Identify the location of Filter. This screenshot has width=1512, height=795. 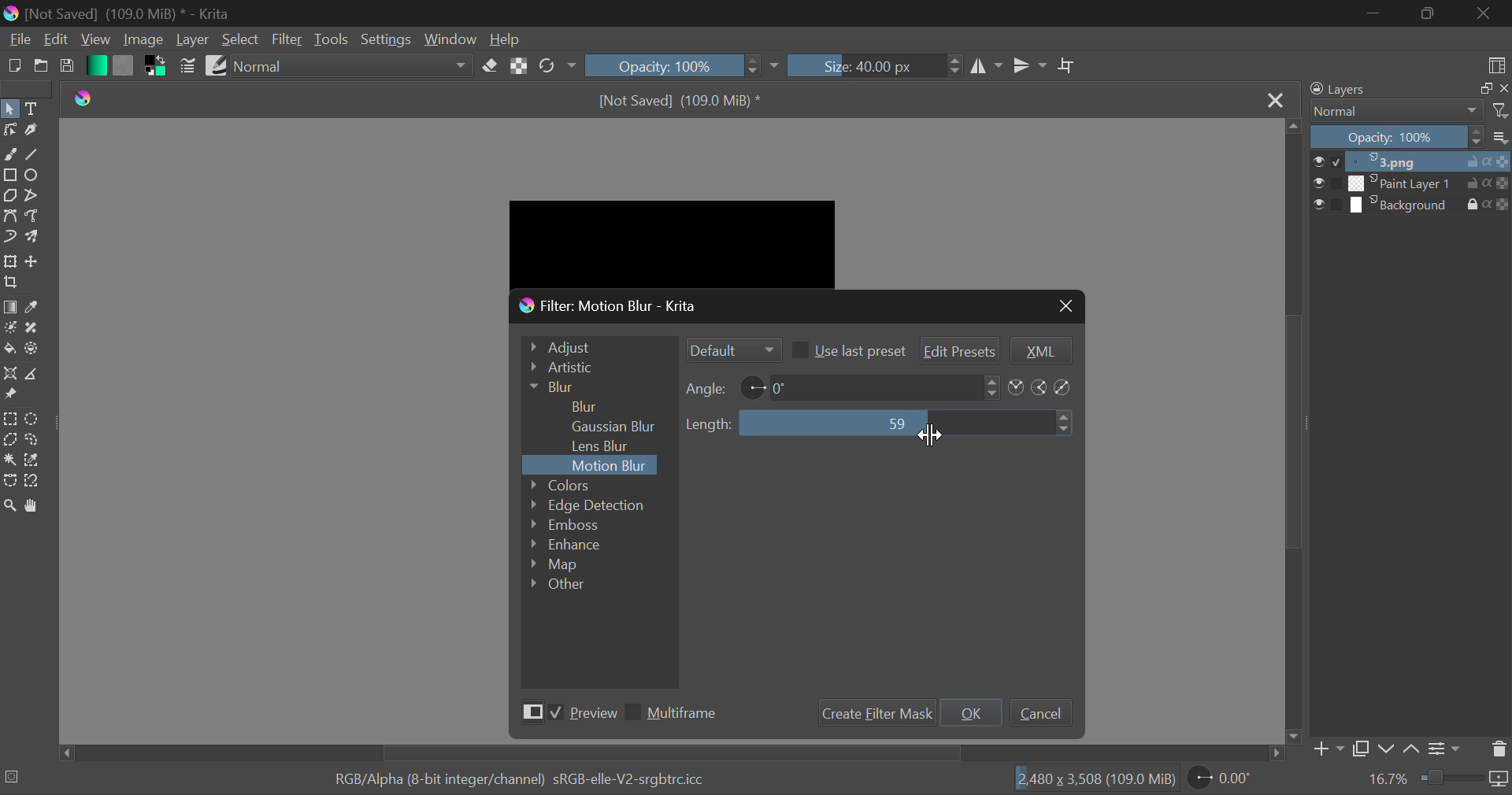
(287, 40).